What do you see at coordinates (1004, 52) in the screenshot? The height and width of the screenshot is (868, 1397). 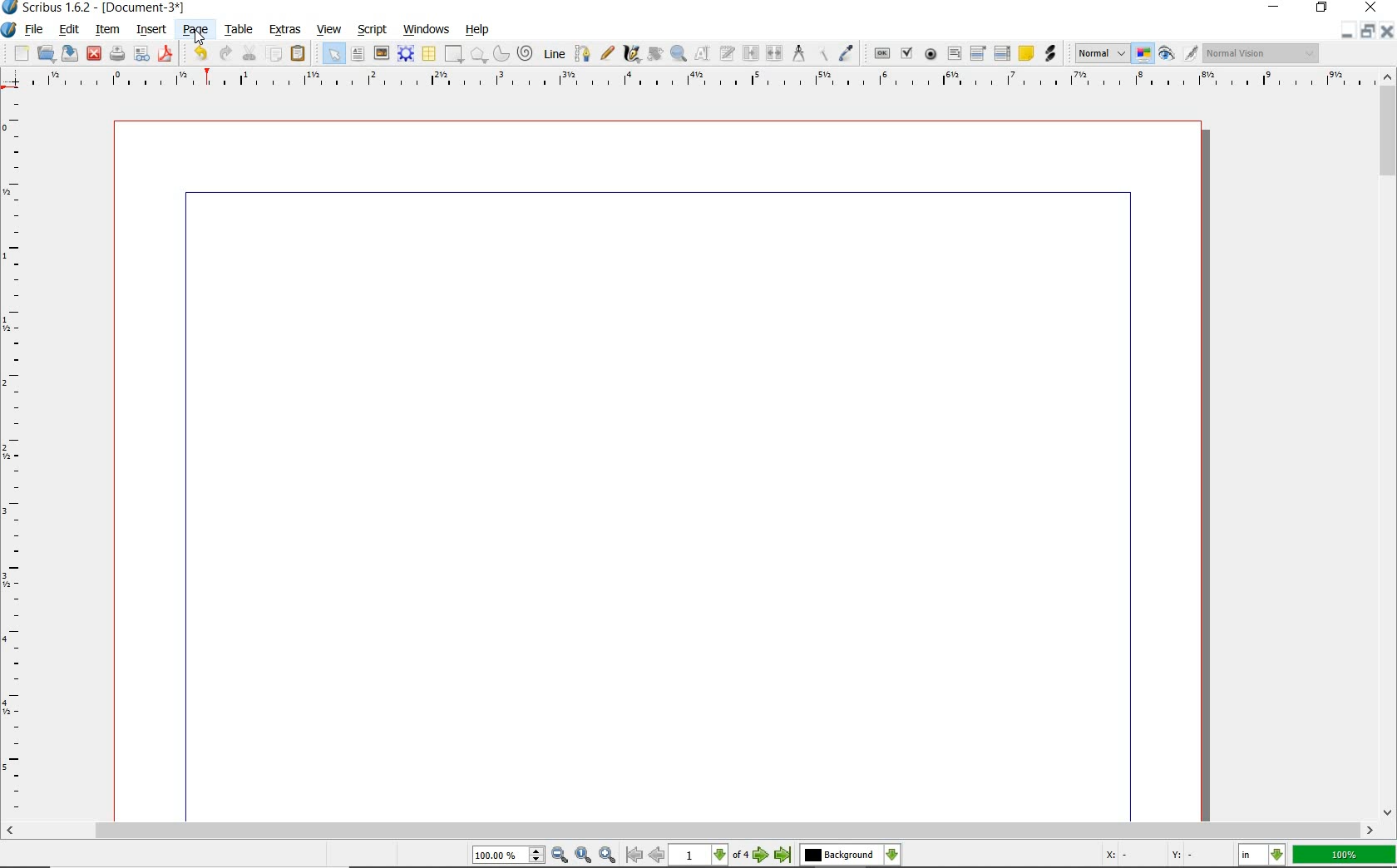 I see `pdf list box` at bounding box center [1004, 52].